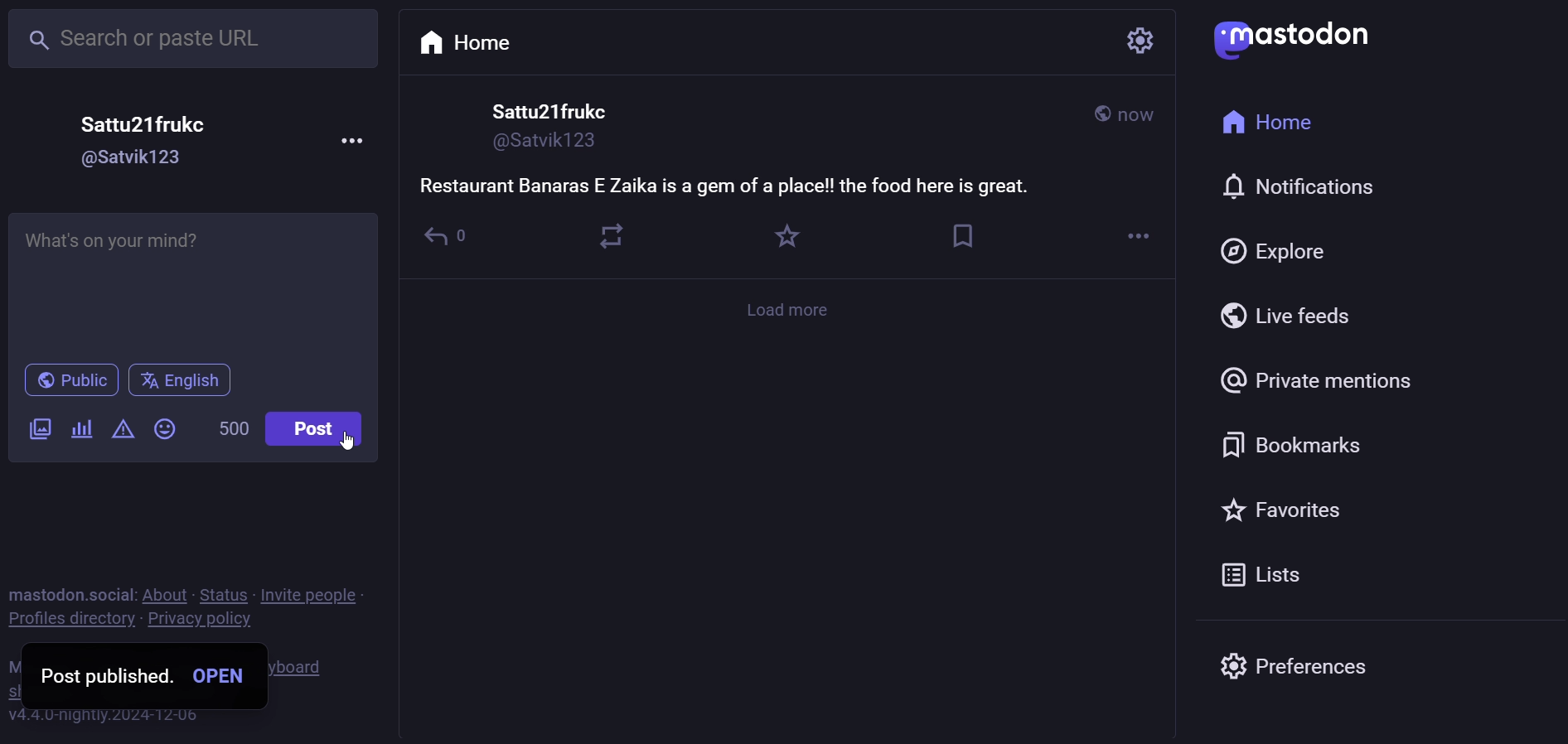 The height and width of the screenshot is (744, 1568). Describe the element at coordinates (347, 441) in the screenshot. I see `cursor` at that location.